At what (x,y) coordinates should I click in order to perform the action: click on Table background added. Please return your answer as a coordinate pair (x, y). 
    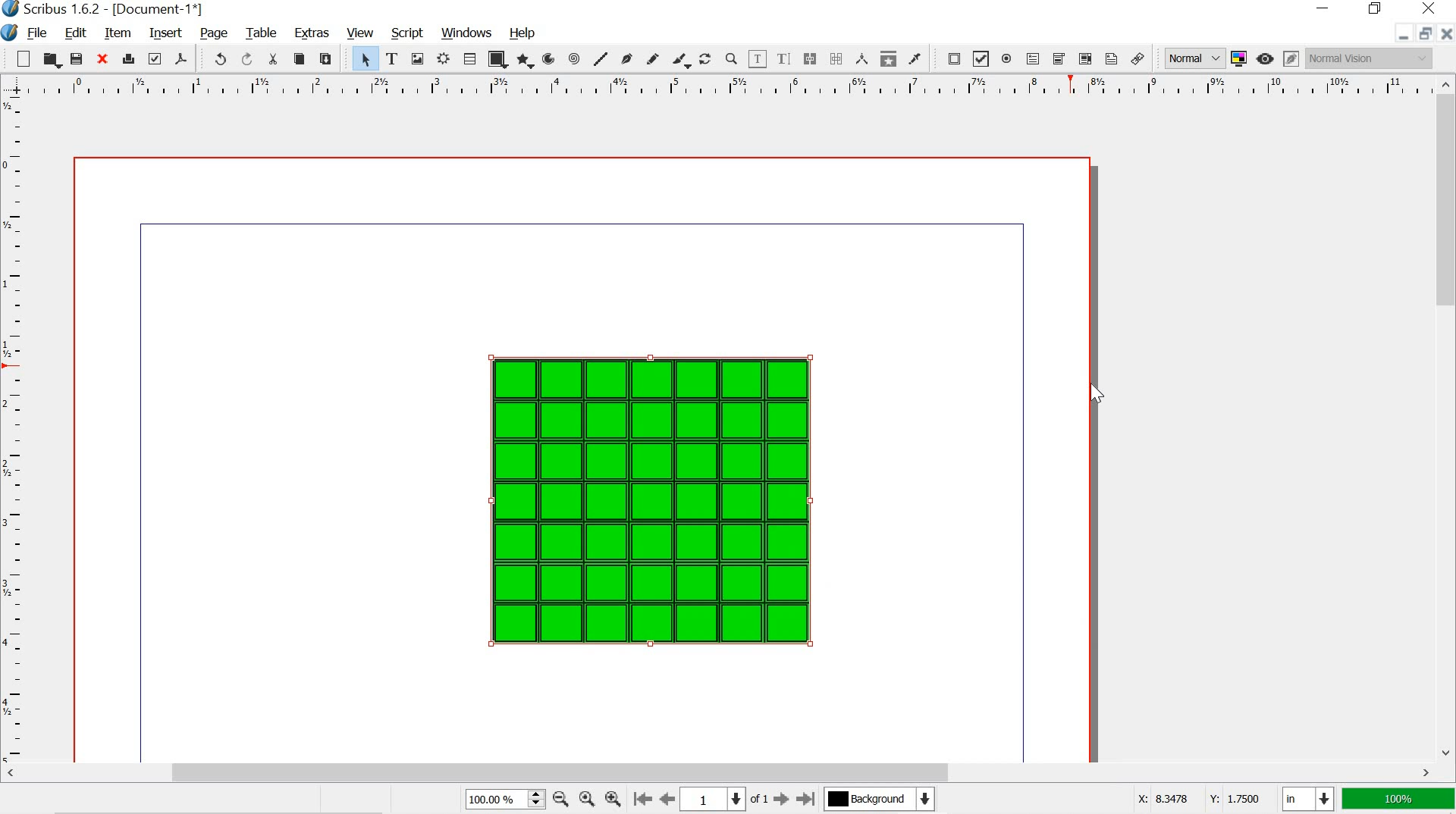
    Looking at the image, I should click on (651, 499).